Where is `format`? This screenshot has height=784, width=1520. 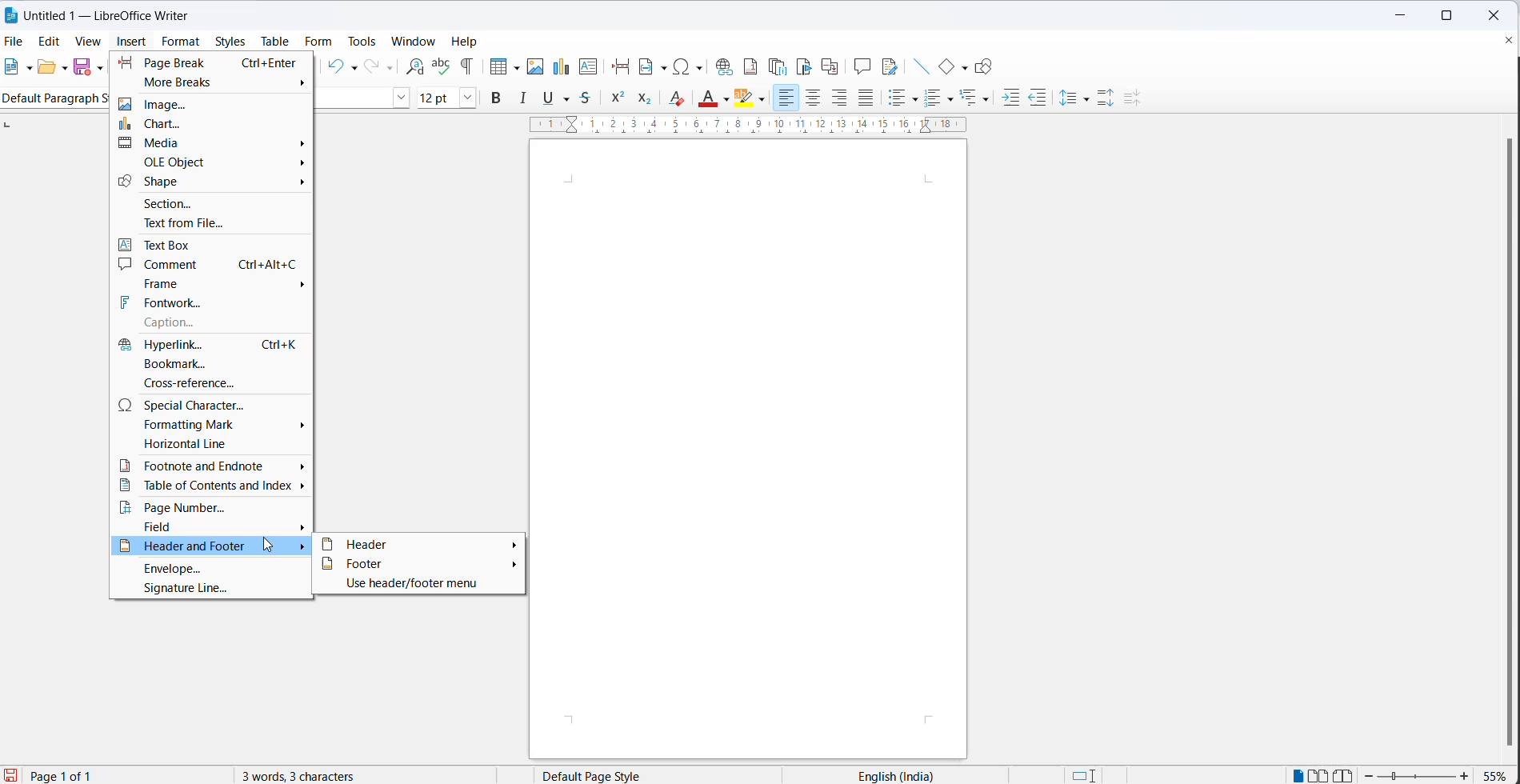
format is located at coordinates (180, 41).